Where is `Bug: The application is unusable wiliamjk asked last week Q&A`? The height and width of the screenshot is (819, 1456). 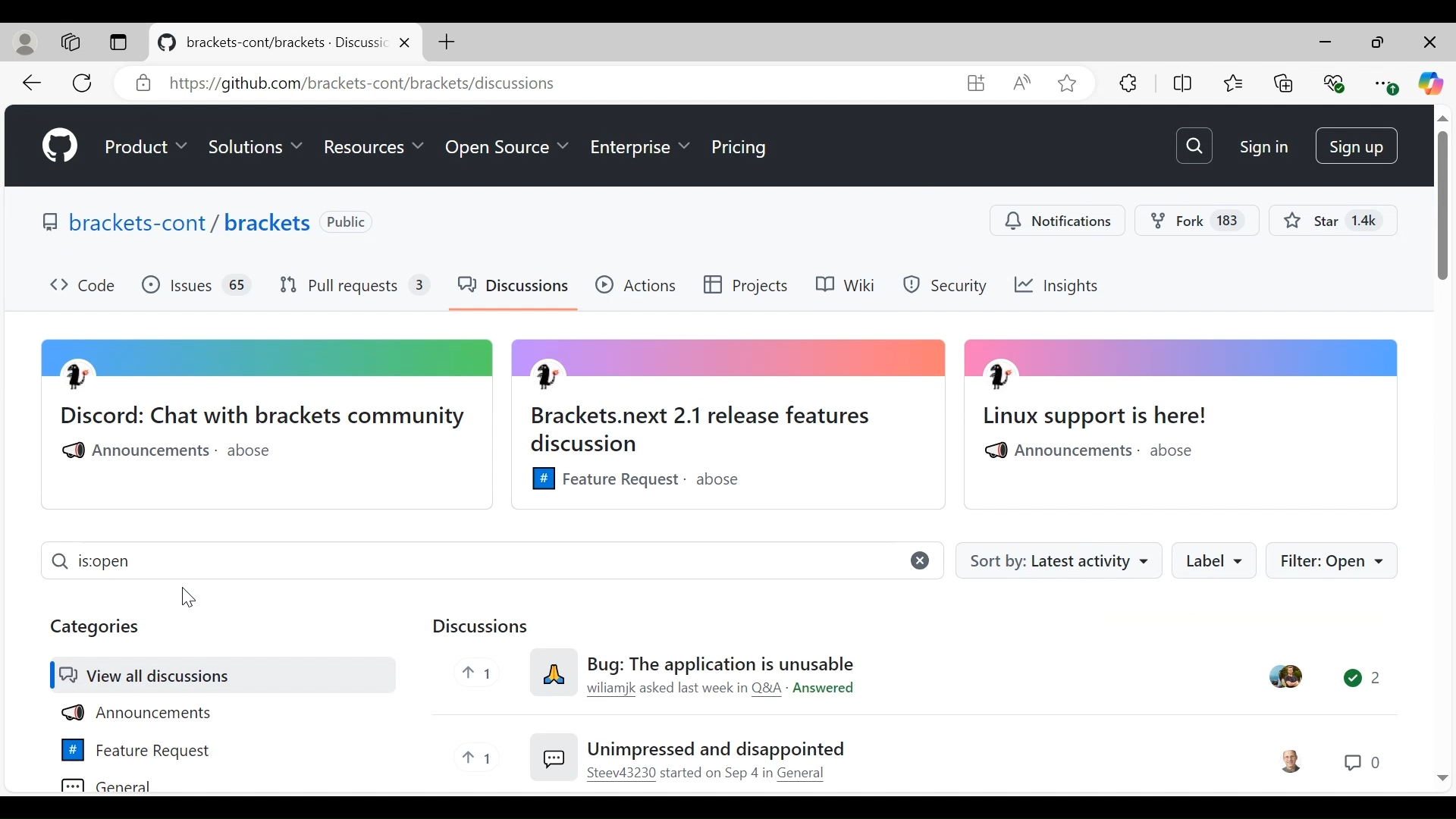 Bug: The application is unusable wiliamjk asked last week Q&A is located at coordinates (720, 674).